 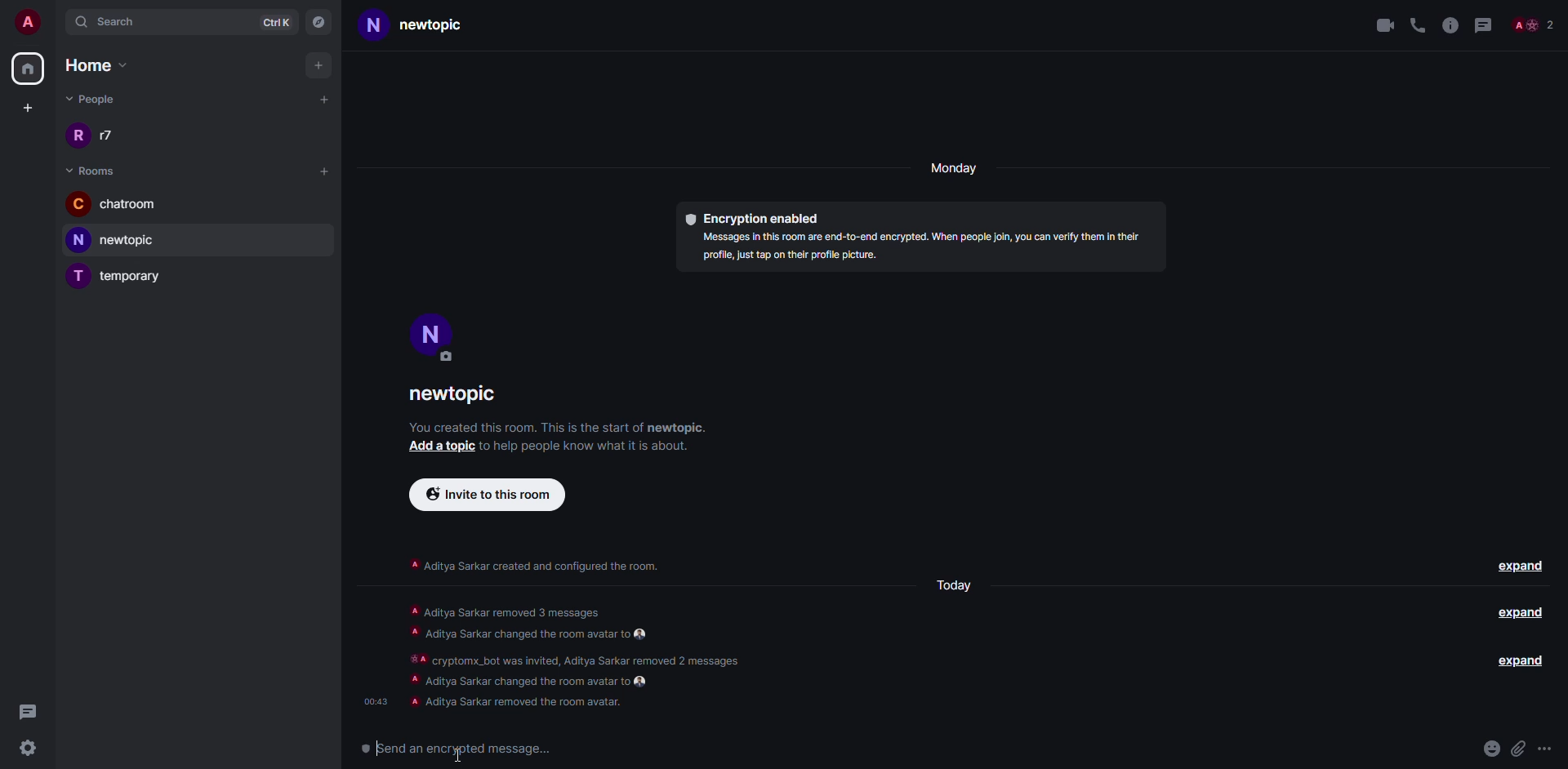 What do you see at coordinates (24, 108) in the screenshot?
I see `create space` at bounding box center [24, 108].